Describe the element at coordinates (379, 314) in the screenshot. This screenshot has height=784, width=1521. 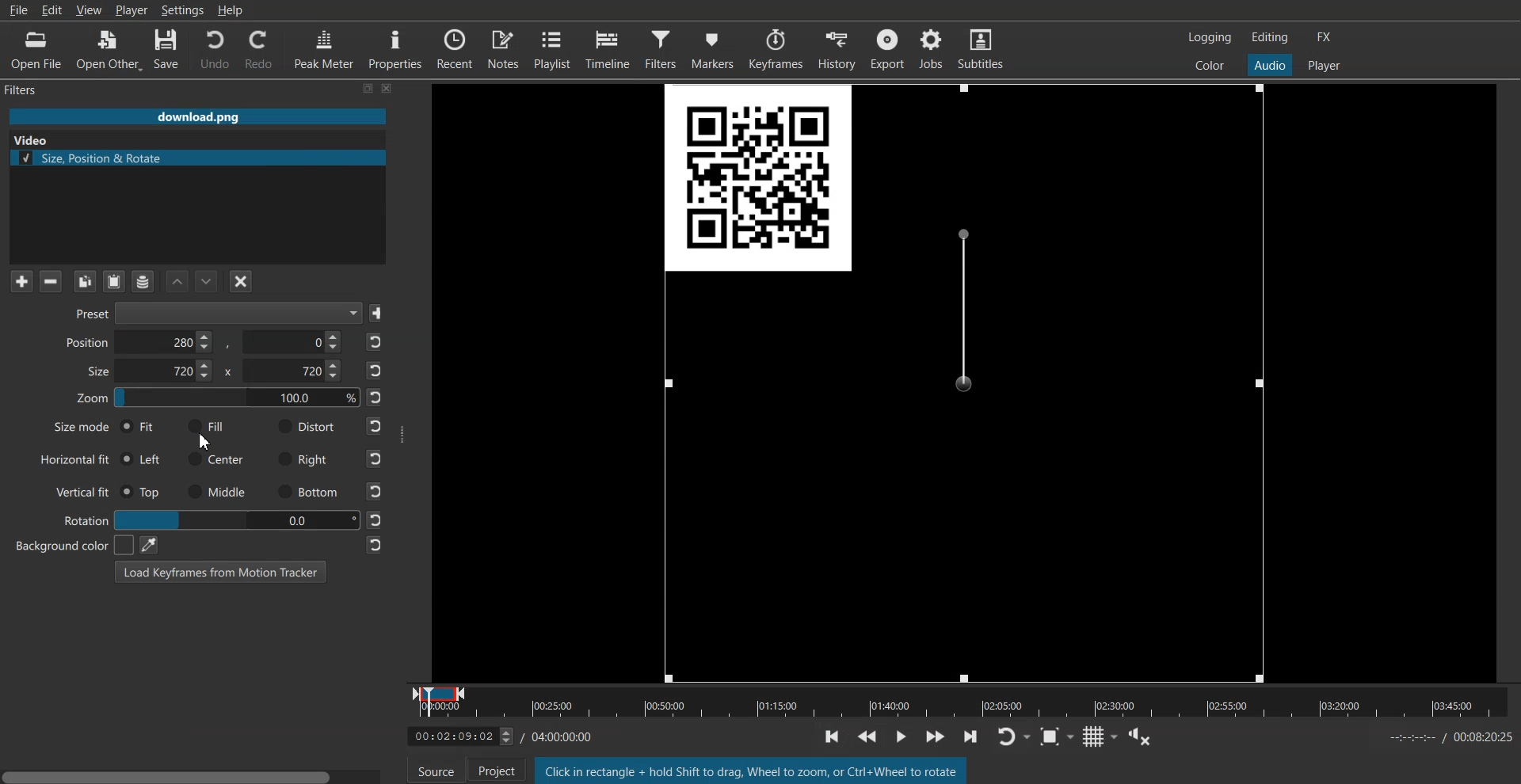
I see `Save` at that location.